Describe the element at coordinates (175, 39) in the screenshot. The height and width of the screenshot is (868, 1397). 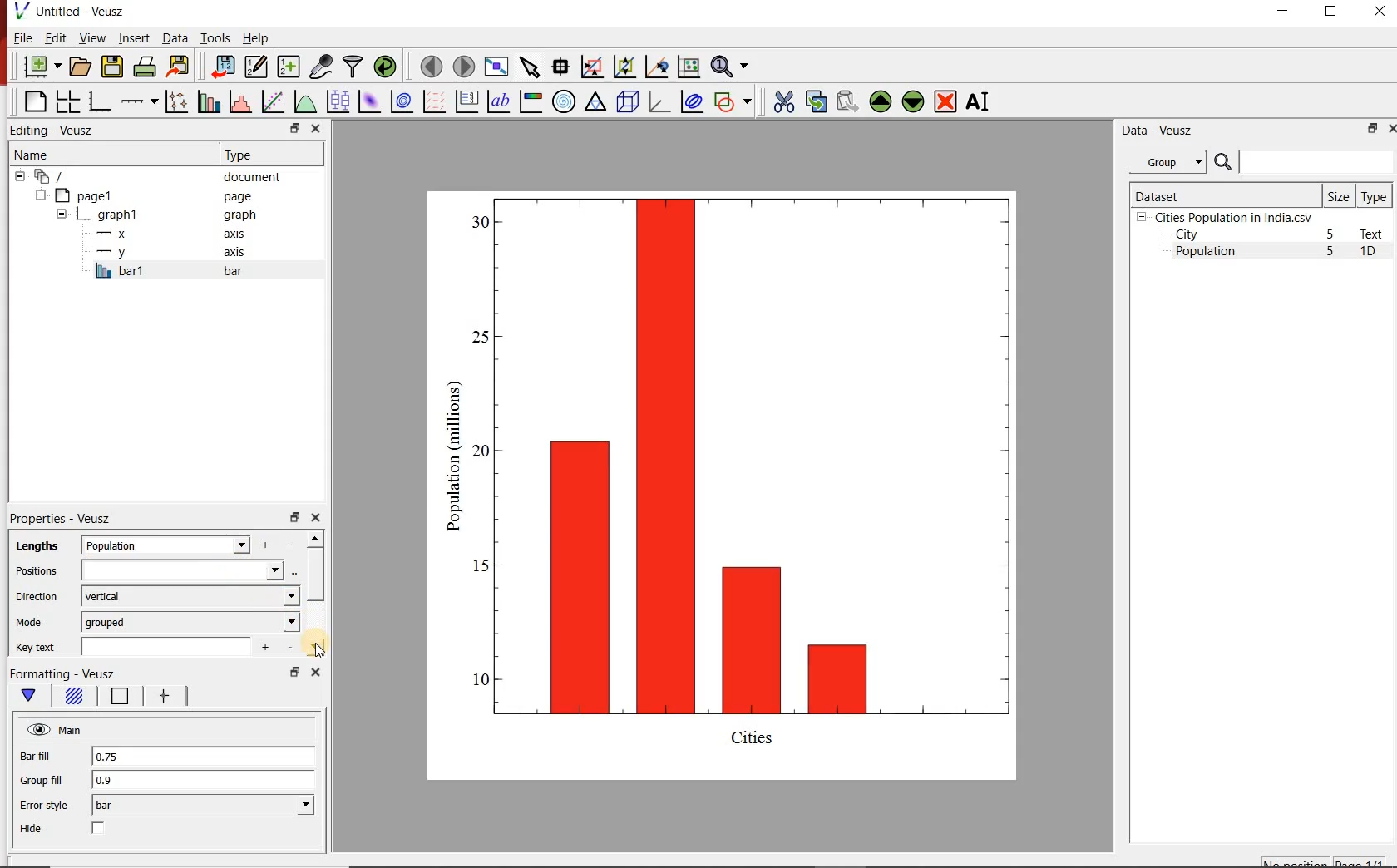
I see `Data` at that location.